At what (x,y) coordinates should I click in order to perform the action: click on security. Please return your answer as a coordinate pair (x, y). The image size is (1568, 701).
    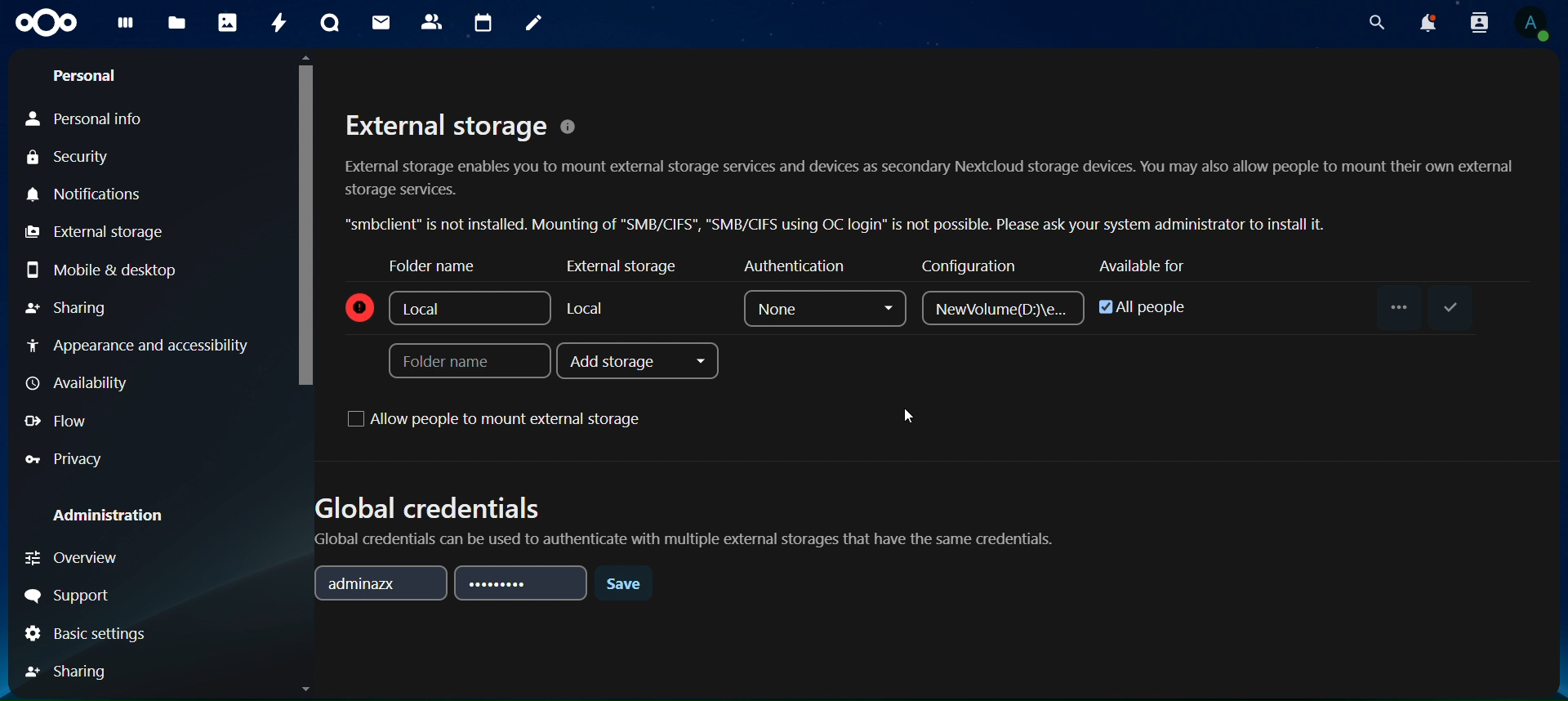
    Looking at the image, I should click on (82, 157).